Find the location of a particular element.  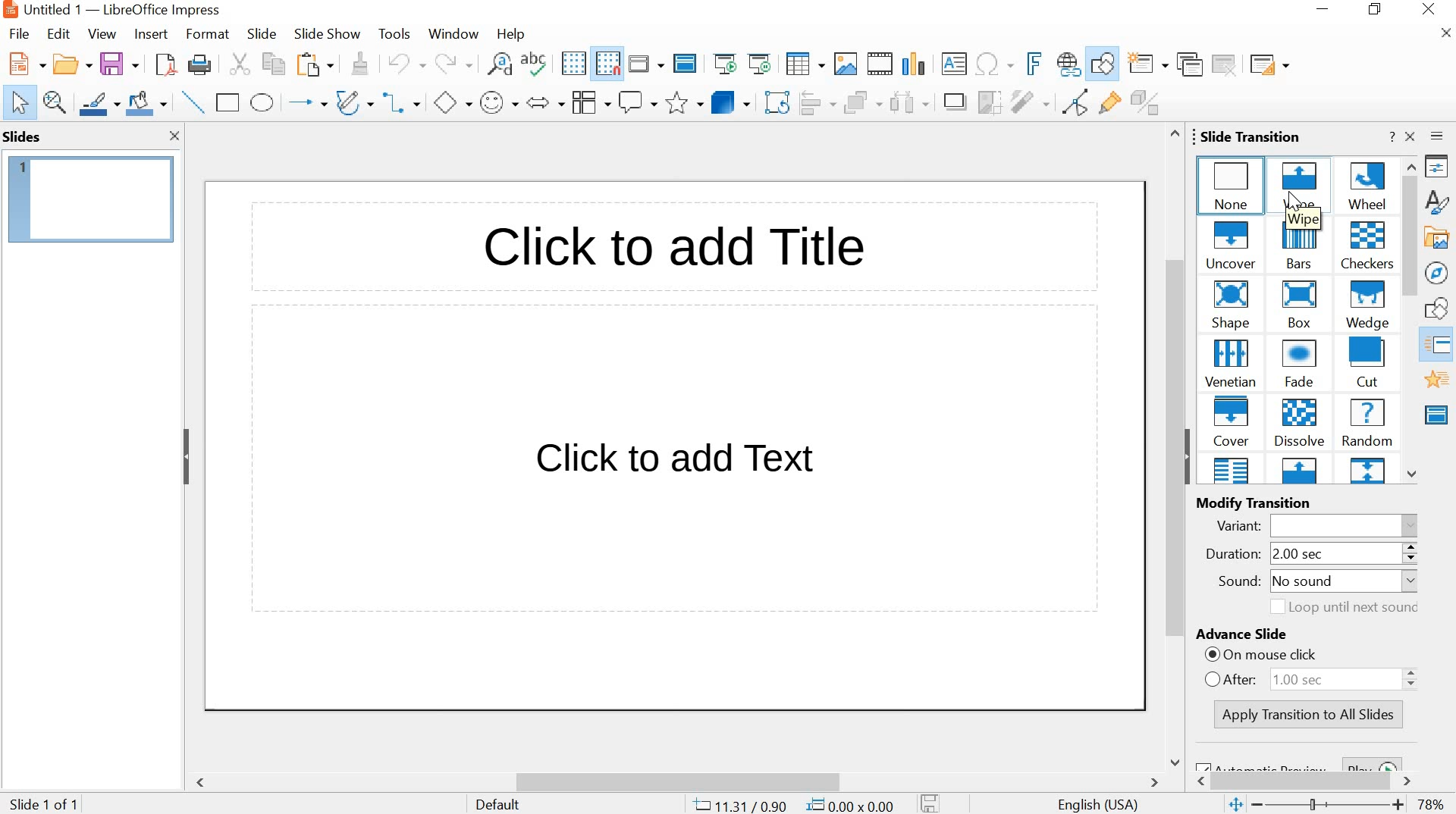

Master slides is located at coordinates (1439, 413).